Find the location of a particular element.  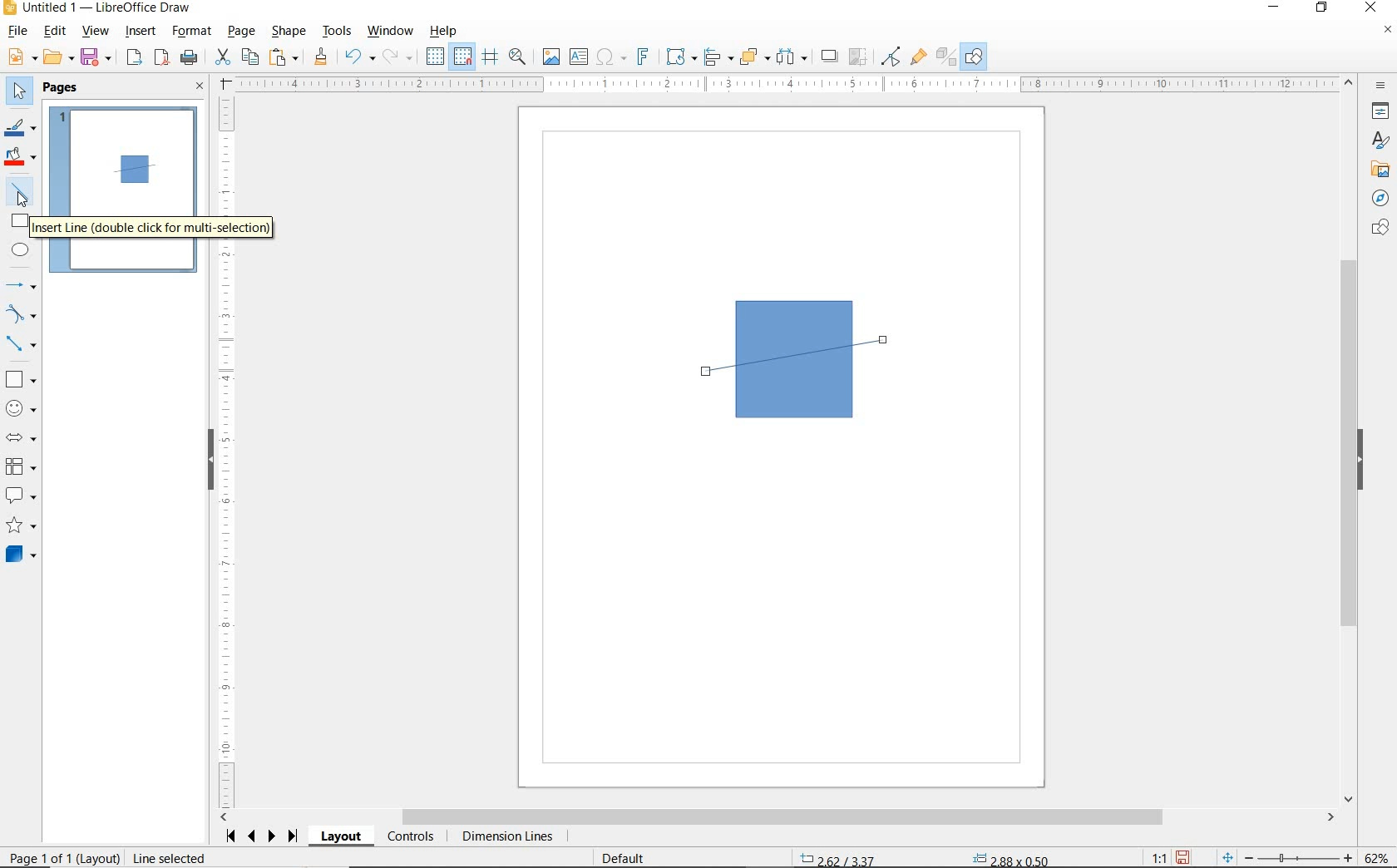

INSERT SPECIAL CHARACTERS is located at coordinates (610, 57).